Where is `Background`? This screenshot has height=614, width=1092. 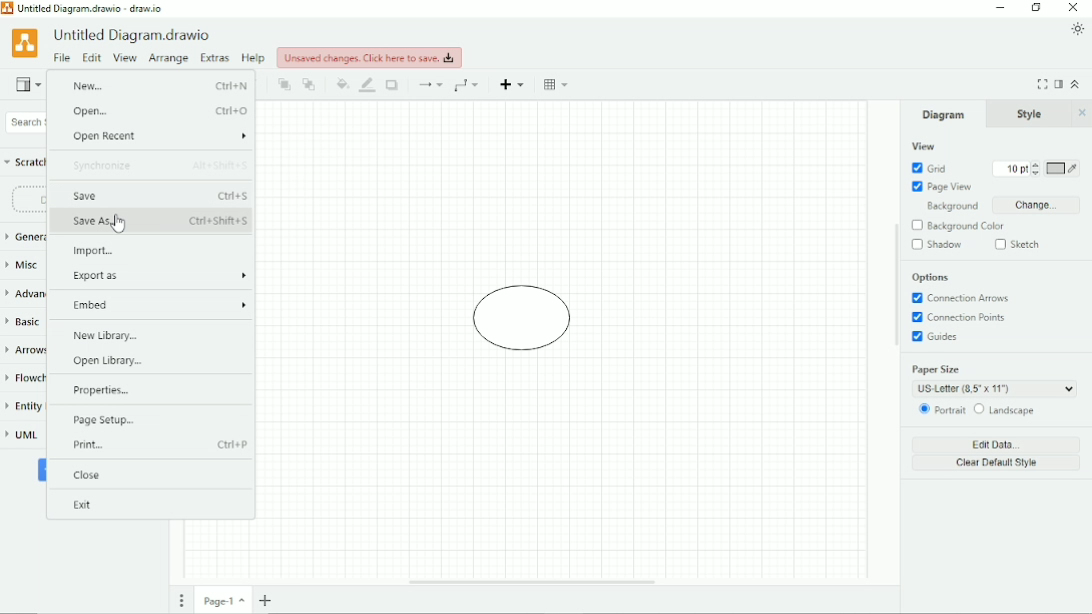
Background is located at coordinates (952, 206).